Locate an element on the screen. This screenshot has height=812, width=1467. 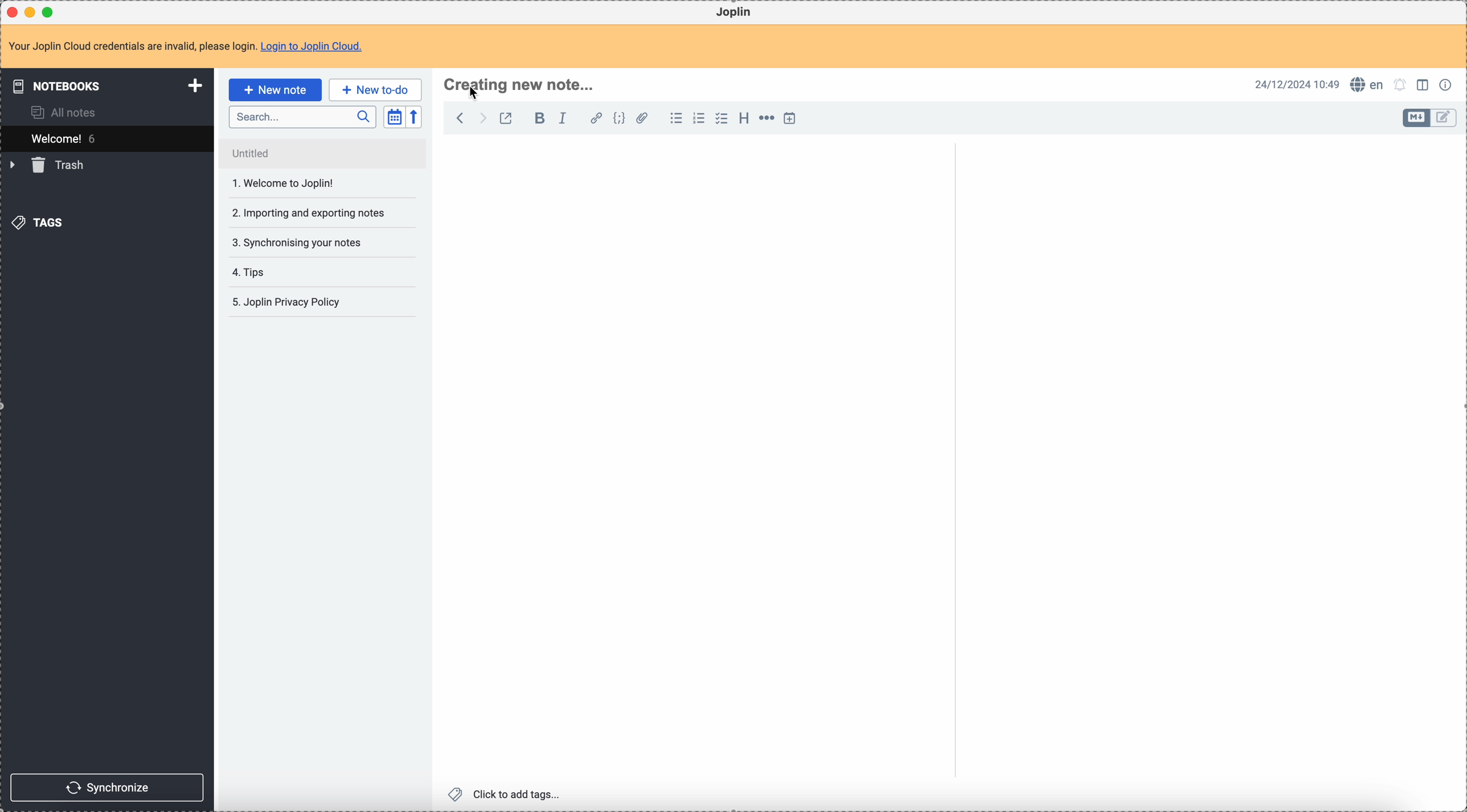
toggle external editing is located at coordinates (505, 118).